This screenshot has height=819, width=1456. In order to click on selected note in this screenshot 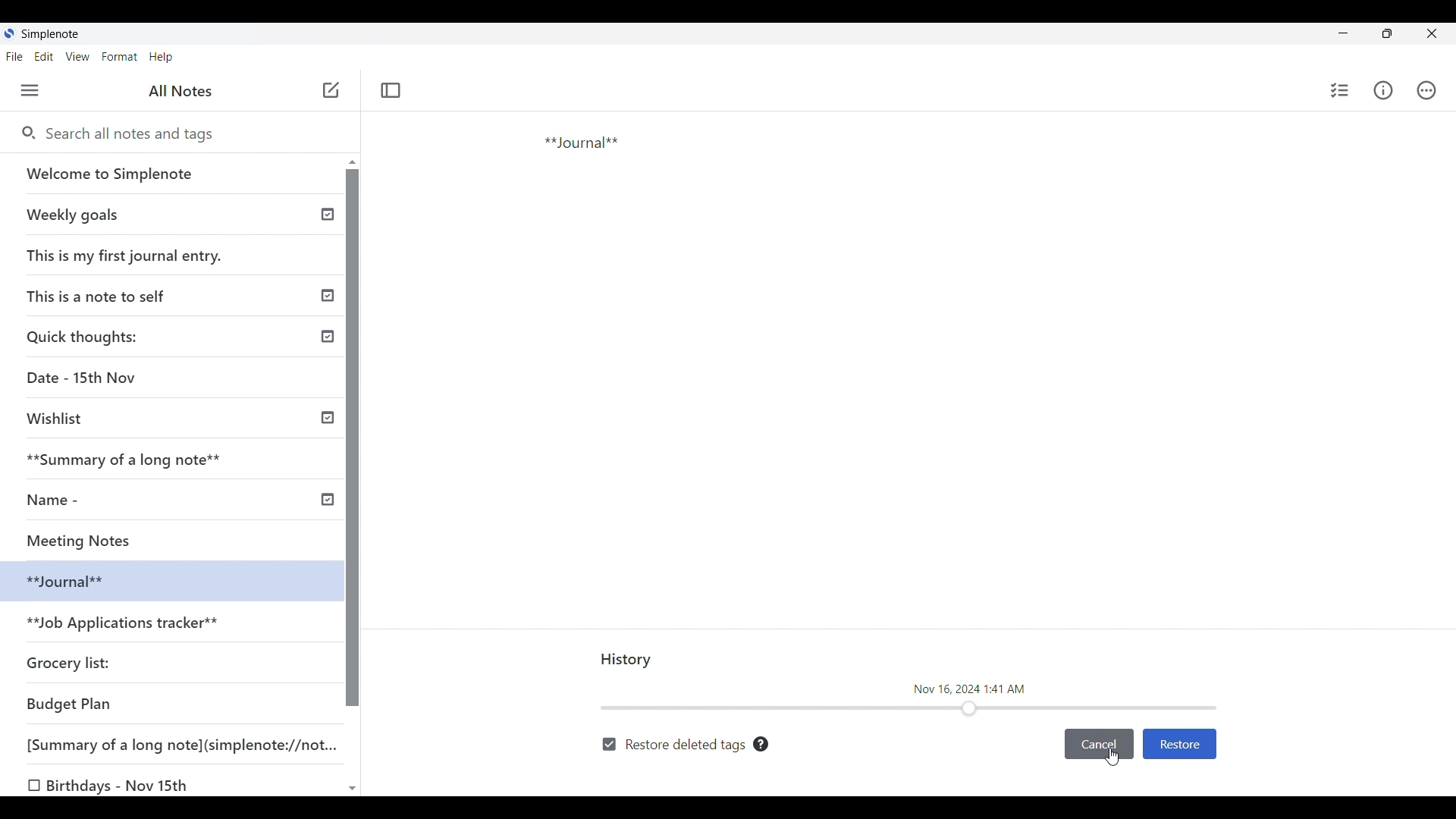, I will do `click(167, 579)`.